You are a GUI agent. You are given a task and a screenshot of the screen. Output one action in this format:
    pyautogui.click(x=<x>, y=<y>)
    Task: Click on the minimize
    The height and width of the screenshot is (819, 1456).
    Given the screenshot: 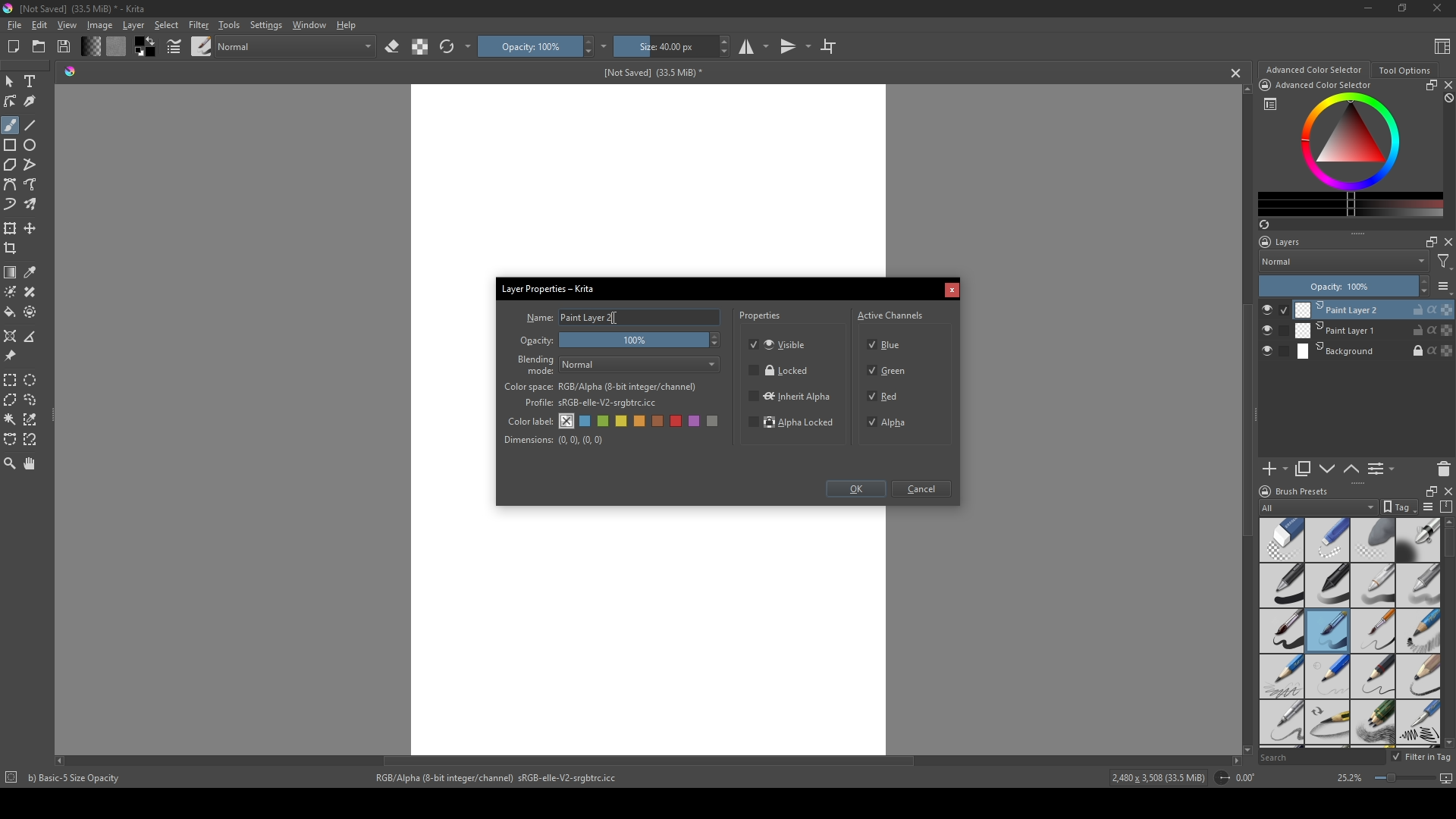 What is the action you would take?
    pyautogui.click(x=1369, y=8)
    